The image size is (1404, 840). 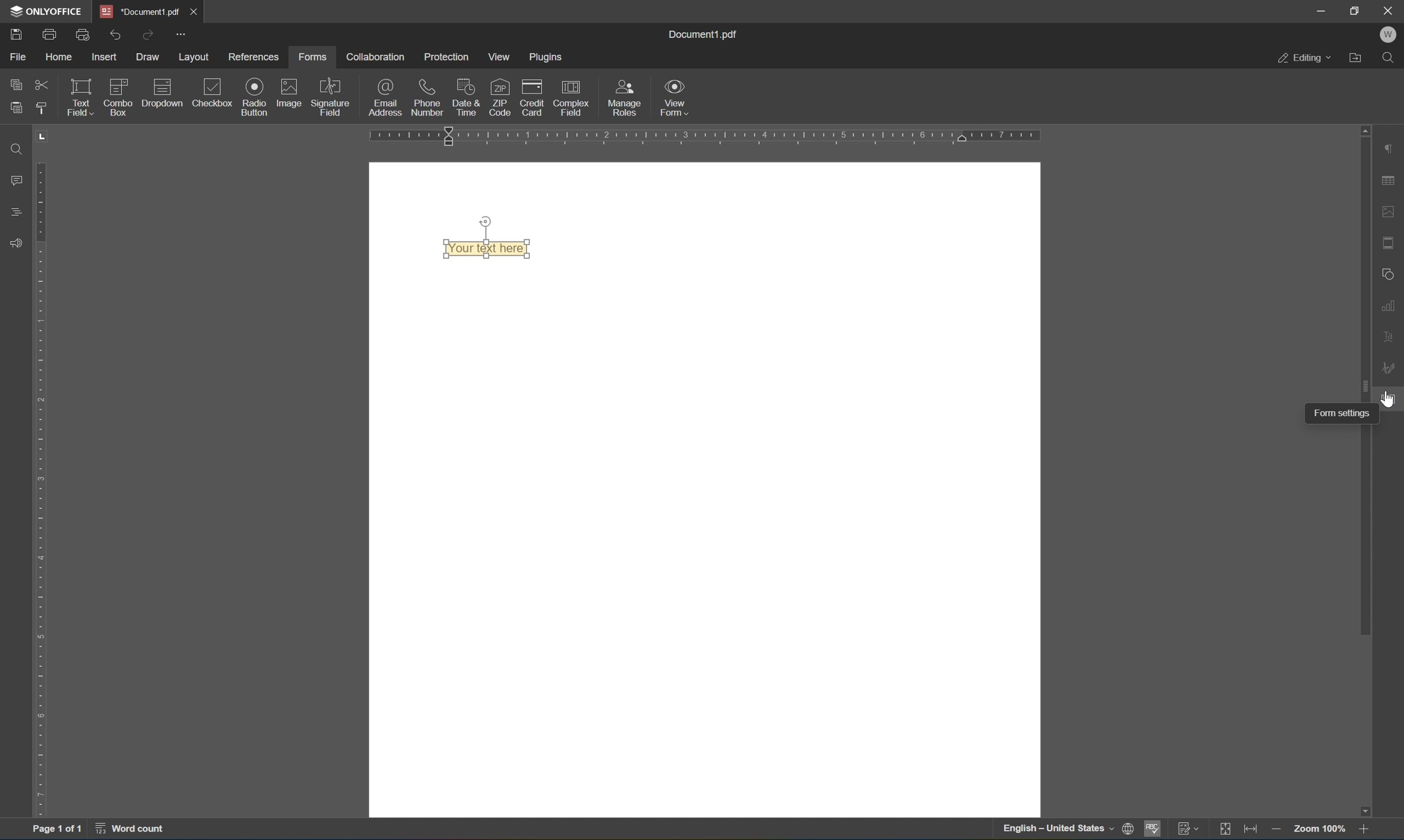 I want to click on radio button, so click(x=256, y=96).